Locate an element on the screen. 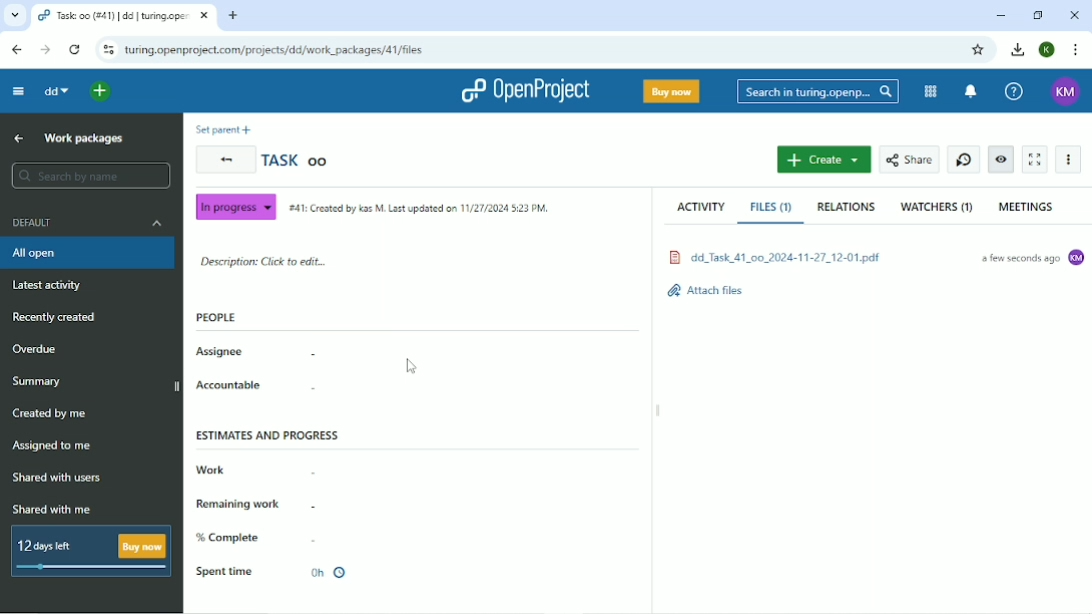 The width and height of the screenshot is (1092, 614). - is located at coordinates (324, 355).